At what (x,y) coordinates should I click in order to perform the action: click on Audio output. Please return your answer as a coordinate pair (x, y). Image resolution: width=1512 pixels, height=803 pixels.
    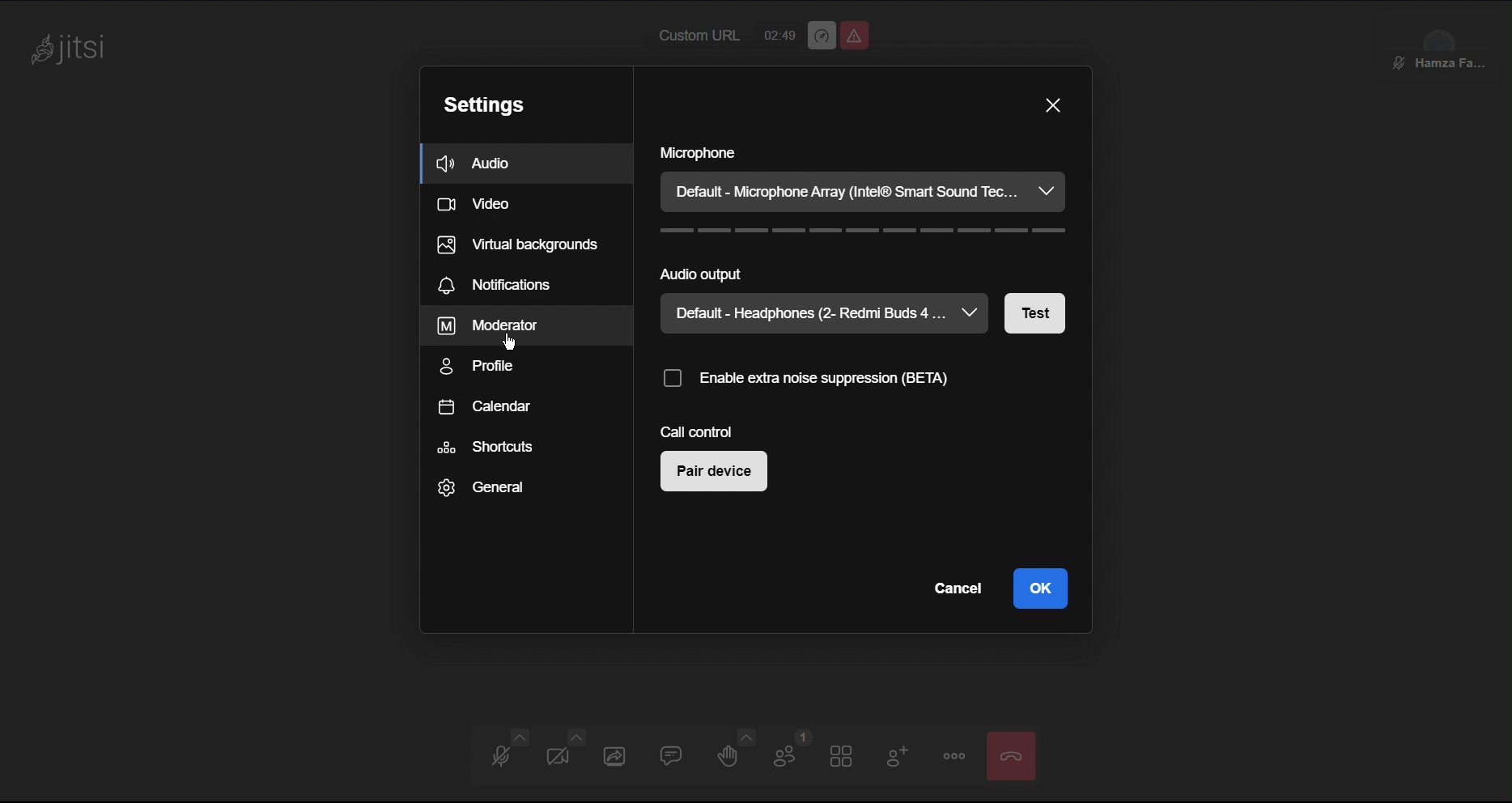
    Looking at the image, I should click on (864, 272).